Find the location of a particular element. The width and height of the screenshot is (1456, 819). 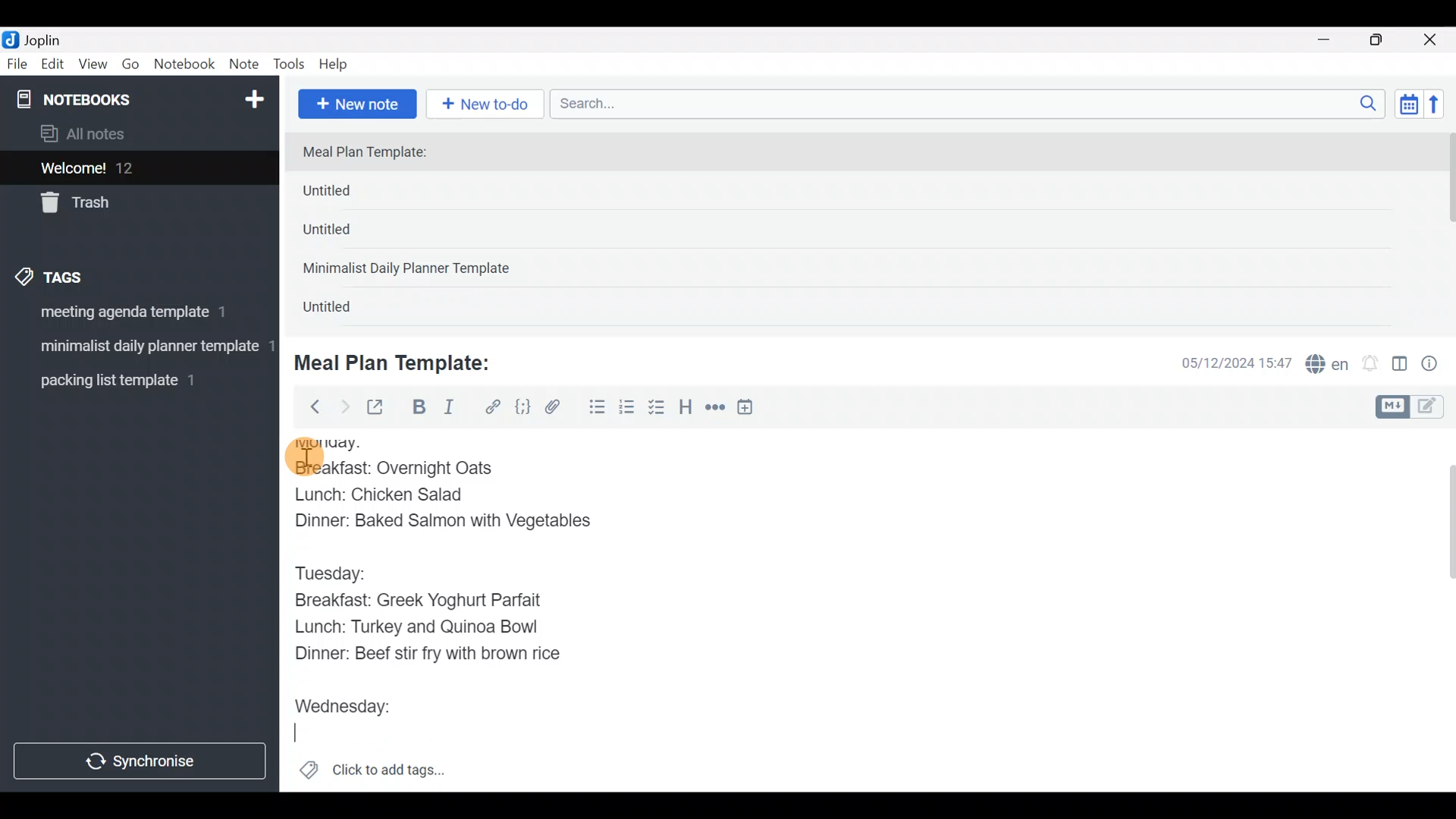

Heading is located at coordinates (686, 409).